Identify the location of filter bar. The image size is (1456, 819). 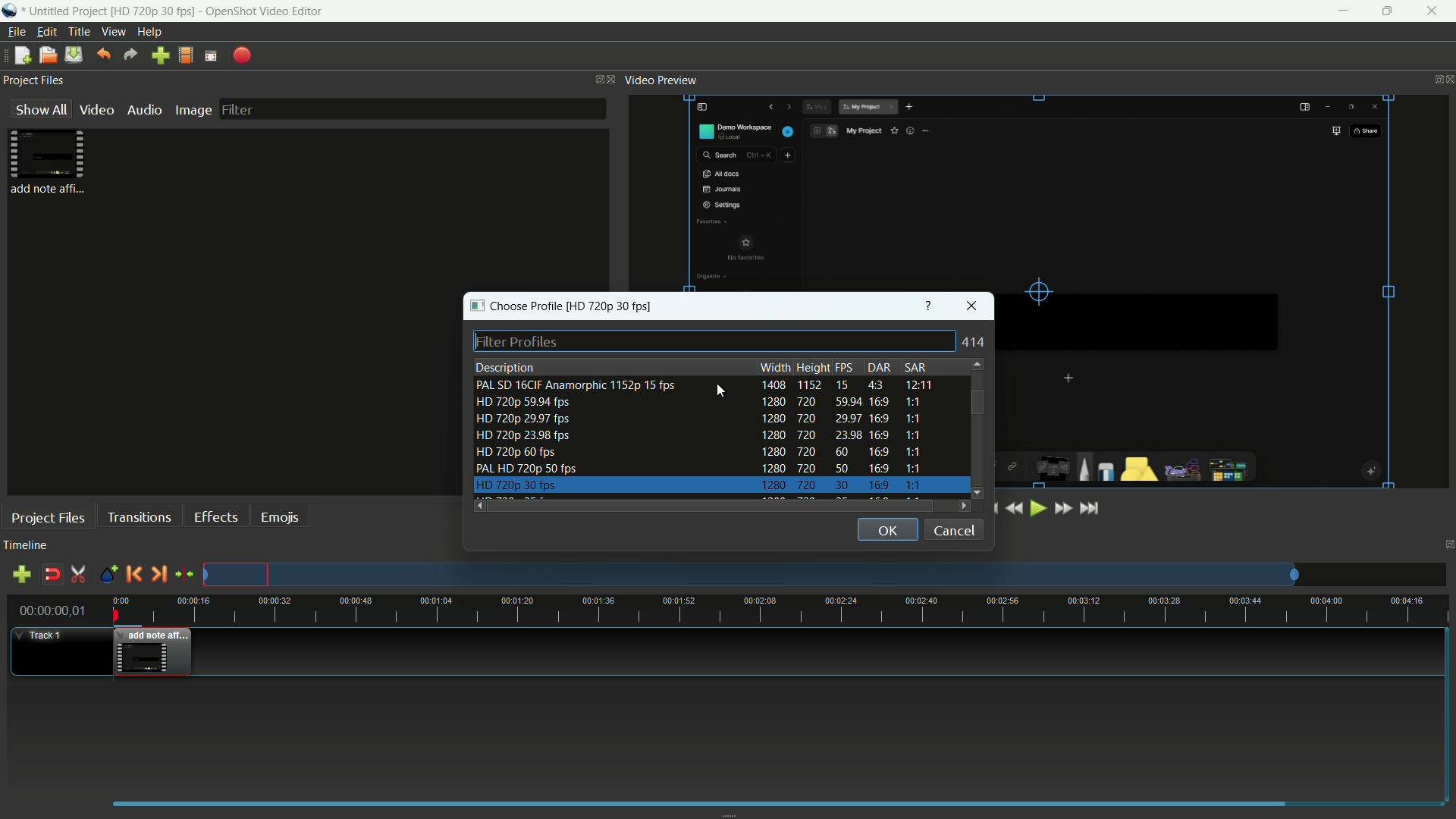
(414, 108).